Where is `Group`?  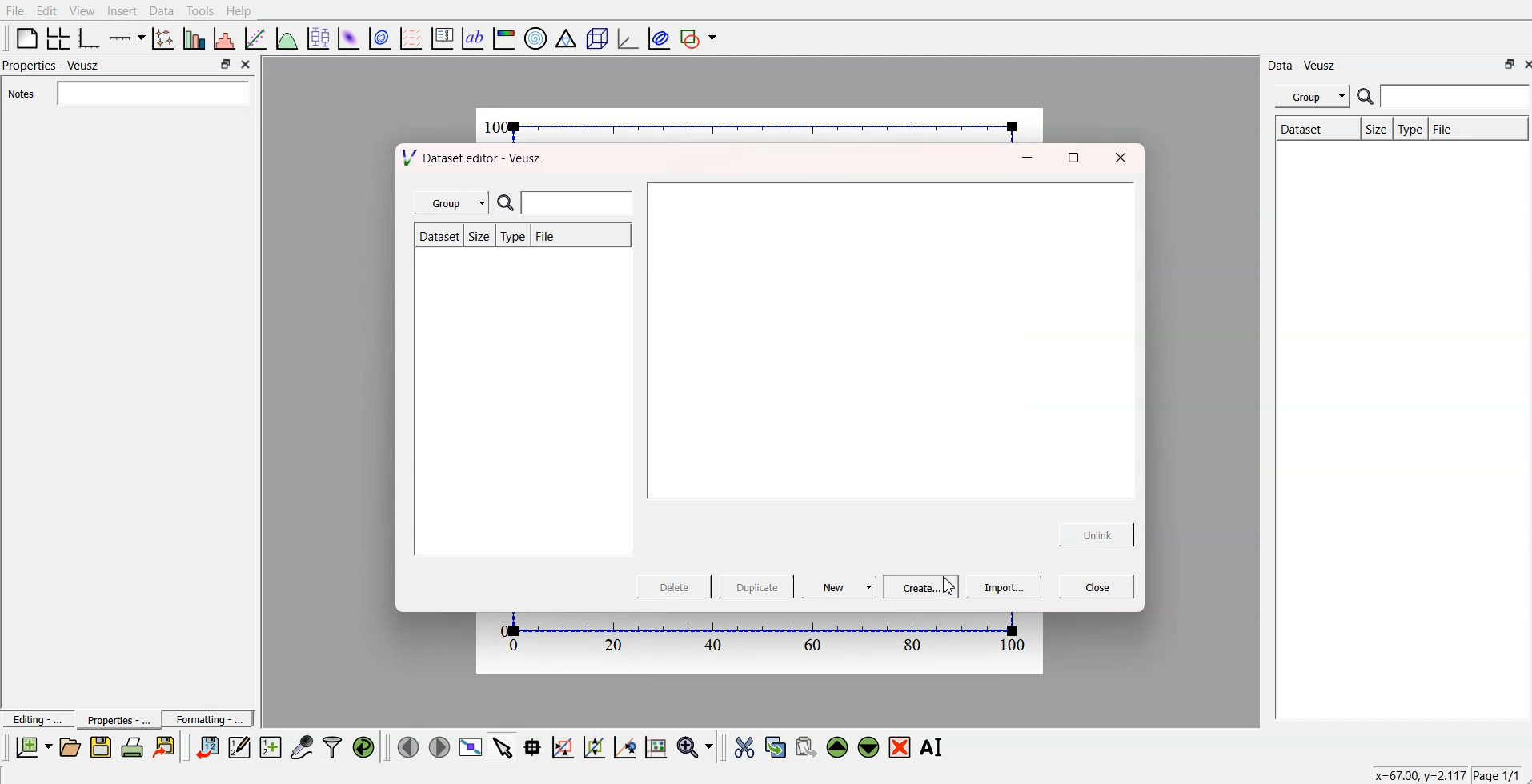 Group is located at coordinates (1309, 97).